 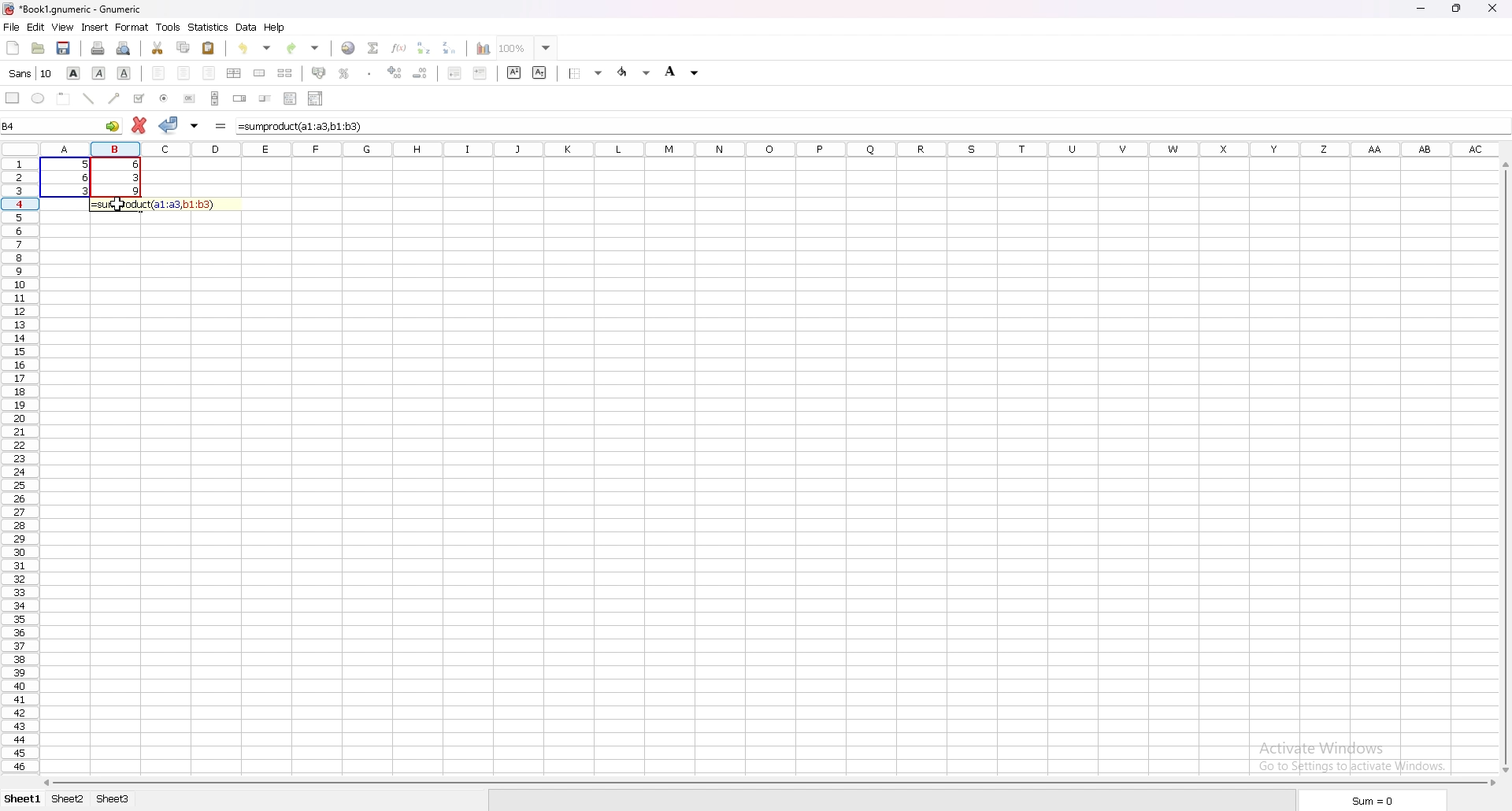 What do you see at coordinates (73, 74) in the screenshot?
I see `bold` at bounding box center [73, 74].